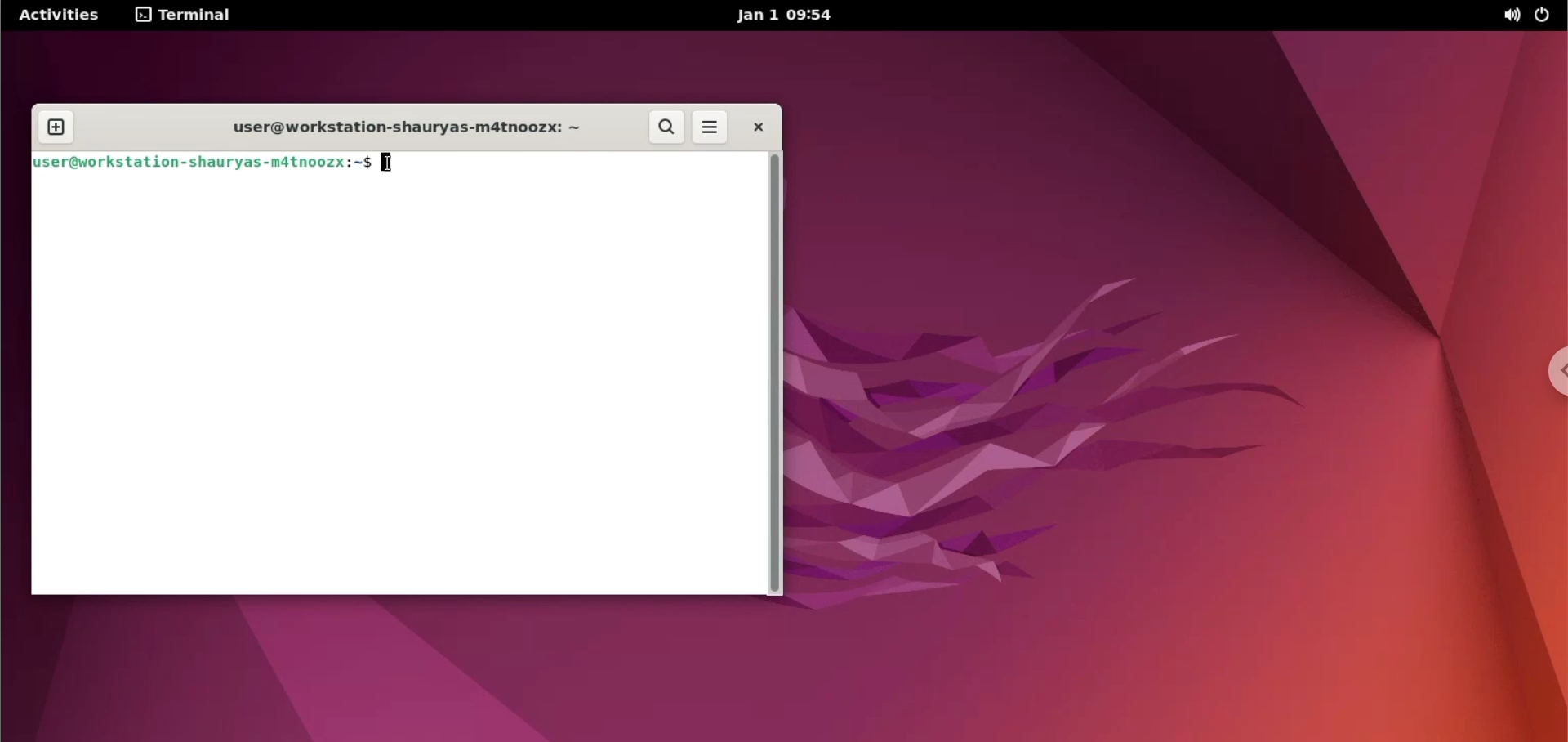  I want to click on sound options, so click(1510, 17).